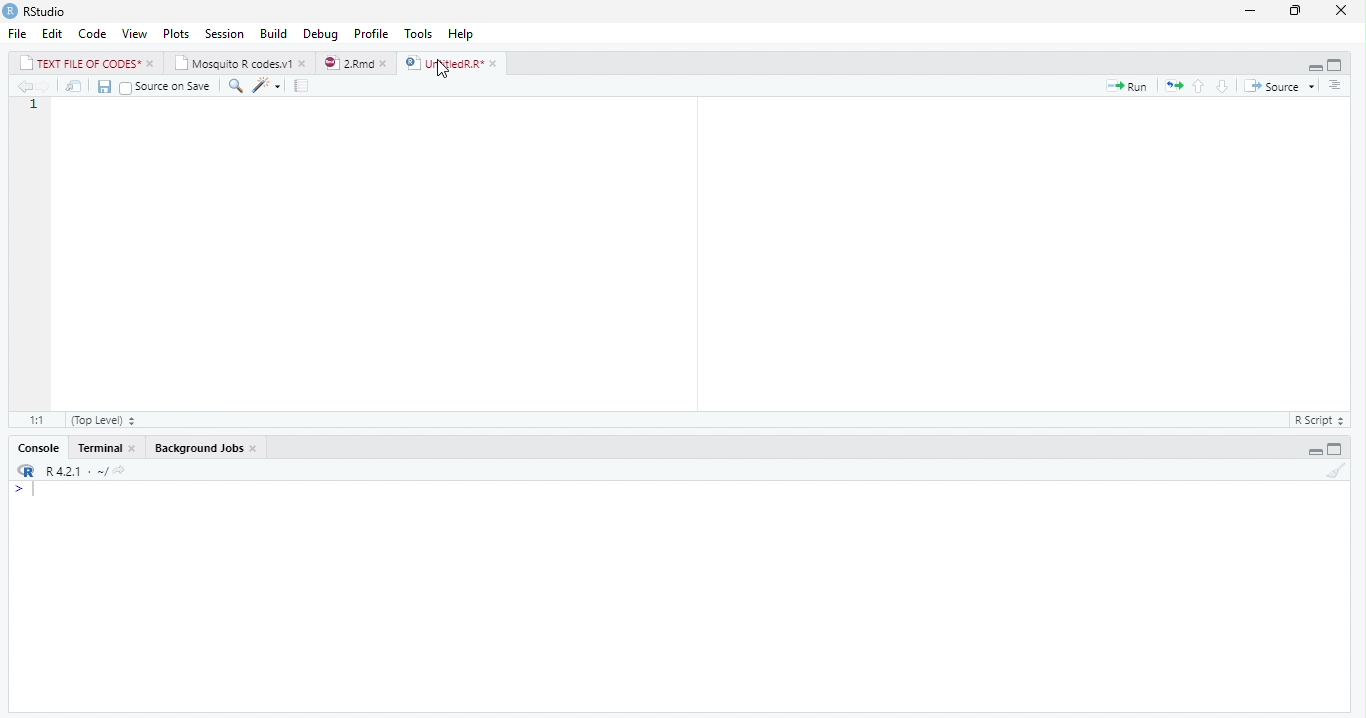 The width and height of the screenshot is (1366, 718). Describe the element at coordinates (74, 86) in the screenshot. I see `Open in new window` at that location.